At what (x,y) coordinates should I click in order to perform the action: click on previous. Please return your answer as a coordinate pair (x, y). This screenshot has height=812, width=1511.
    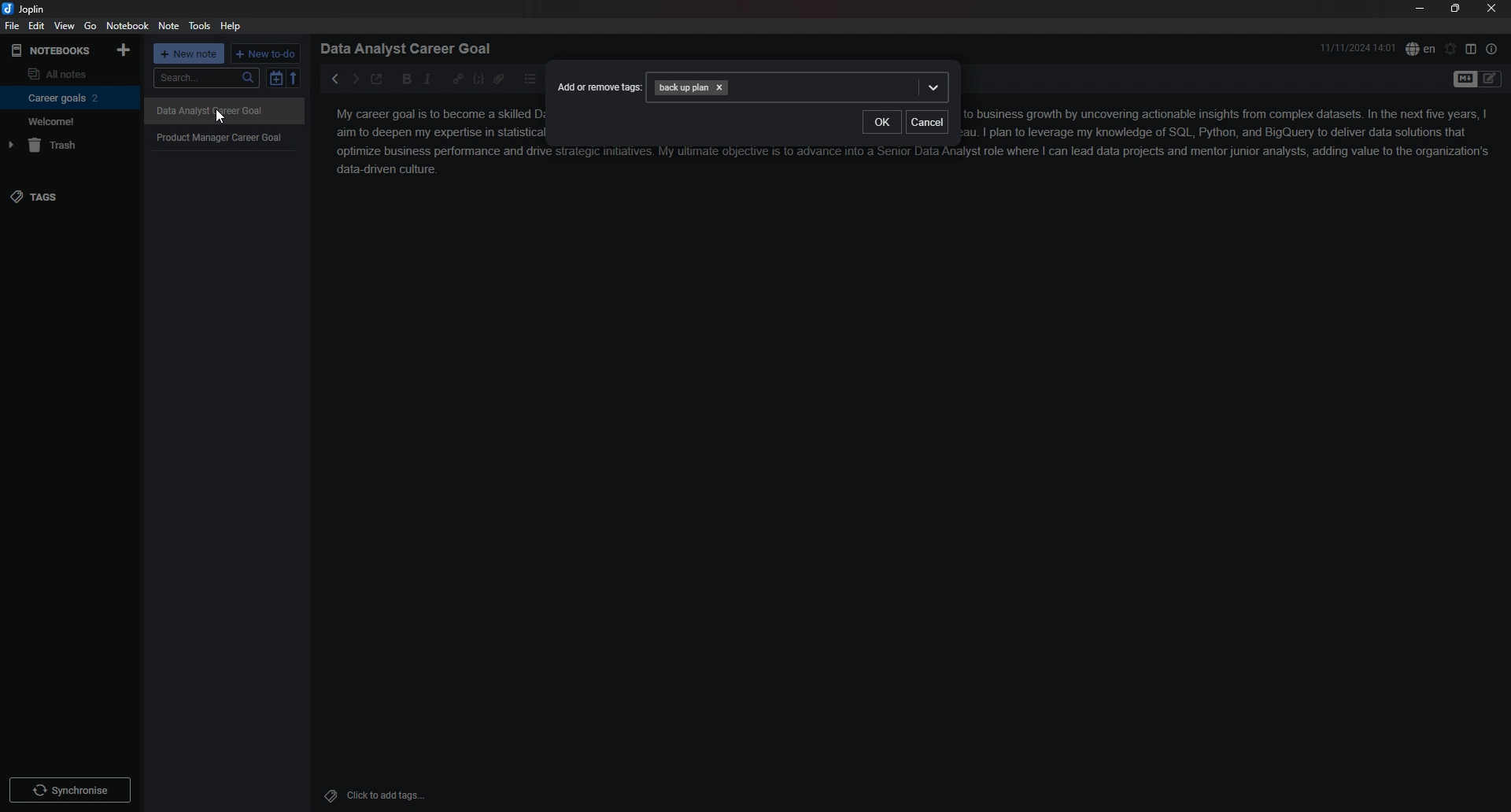
    Looking at the image, I should click on (334, 79).